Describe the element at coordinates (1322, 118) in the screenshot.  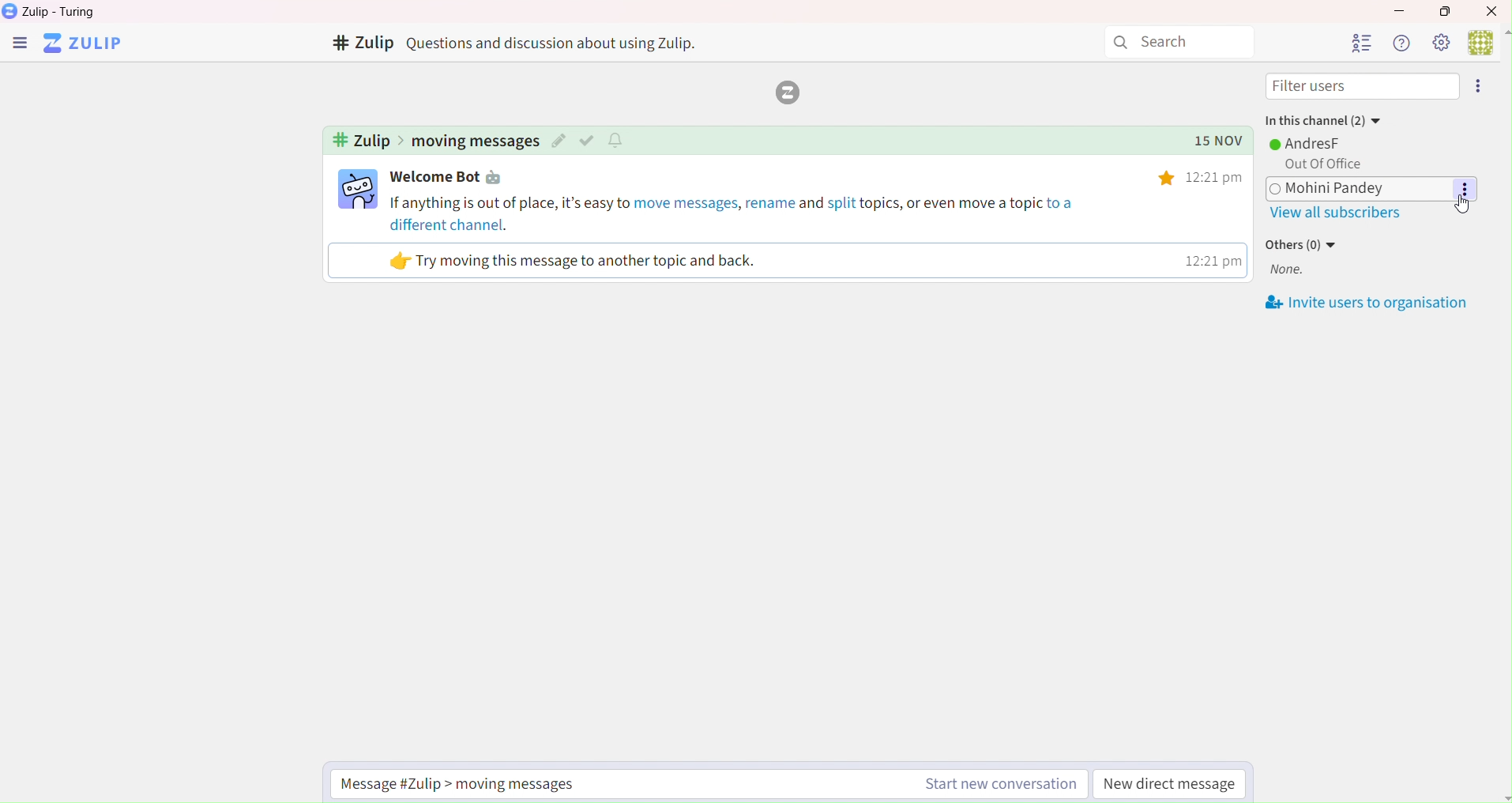
I see `In this channel (2) ` at that location.